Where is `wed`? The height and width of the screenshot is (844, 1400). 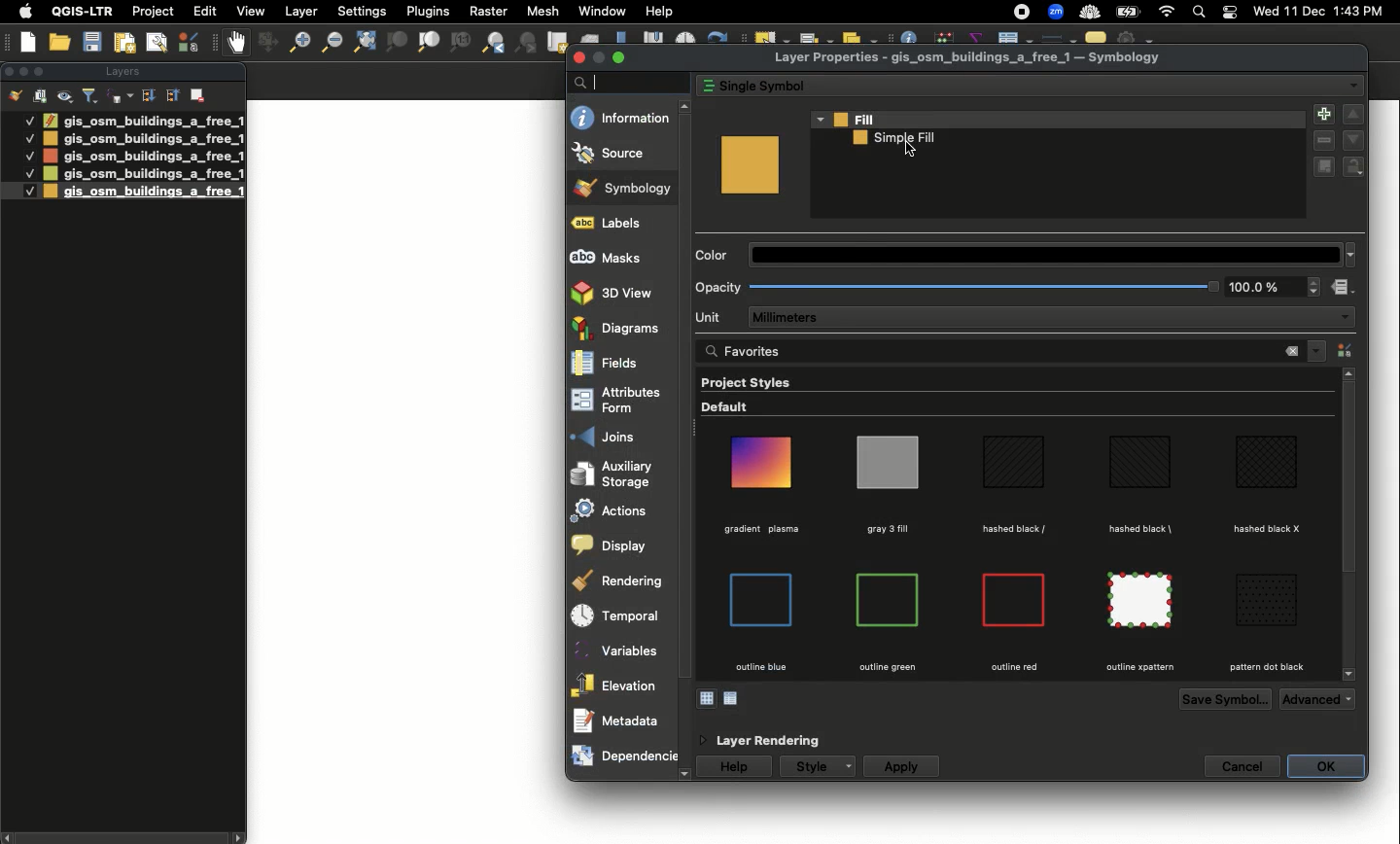 wed is located at coordinates (1264, 13).